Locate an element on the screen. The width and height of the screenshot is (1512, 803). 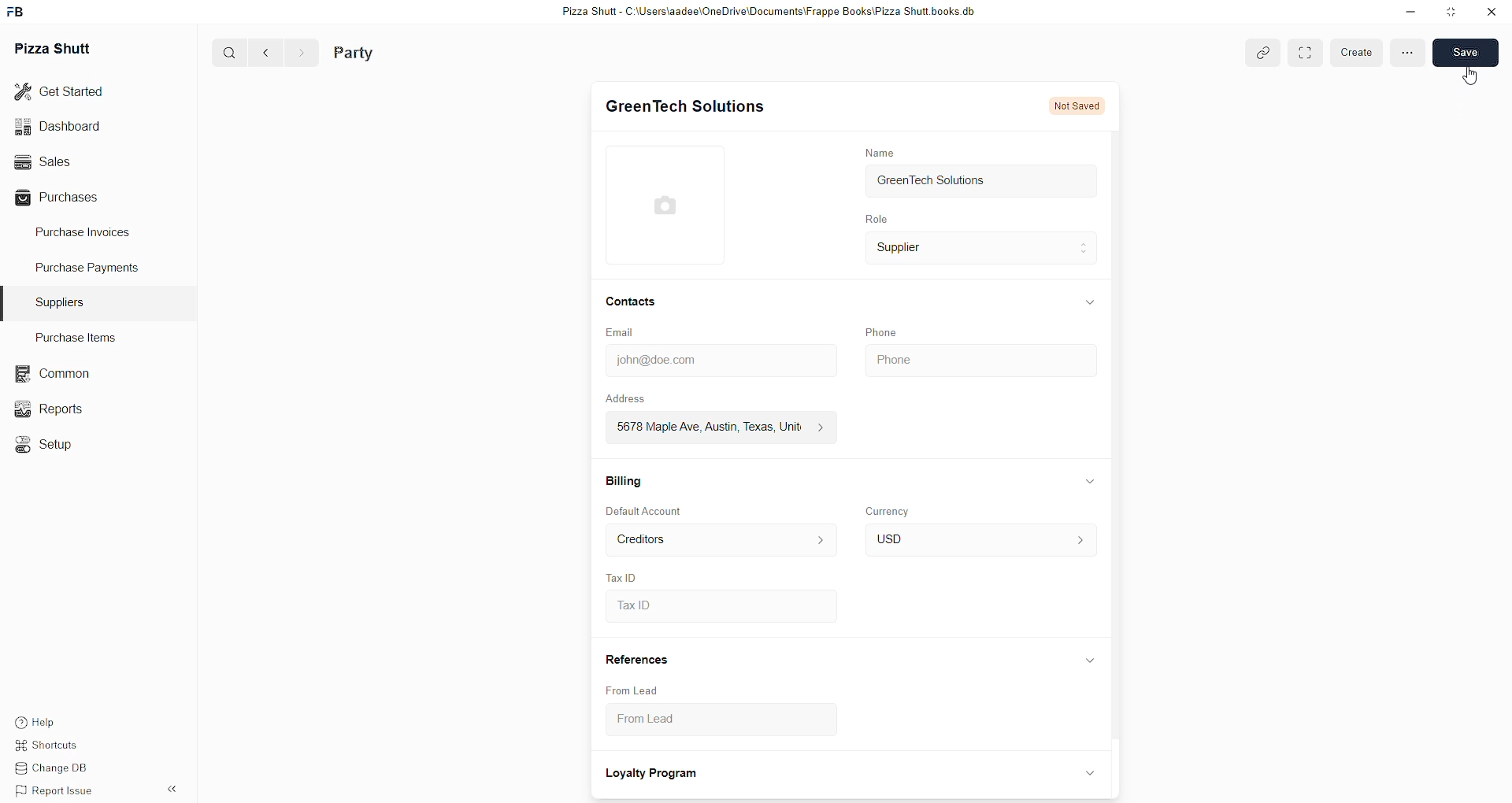
save is located at coordinates (1466, 52).